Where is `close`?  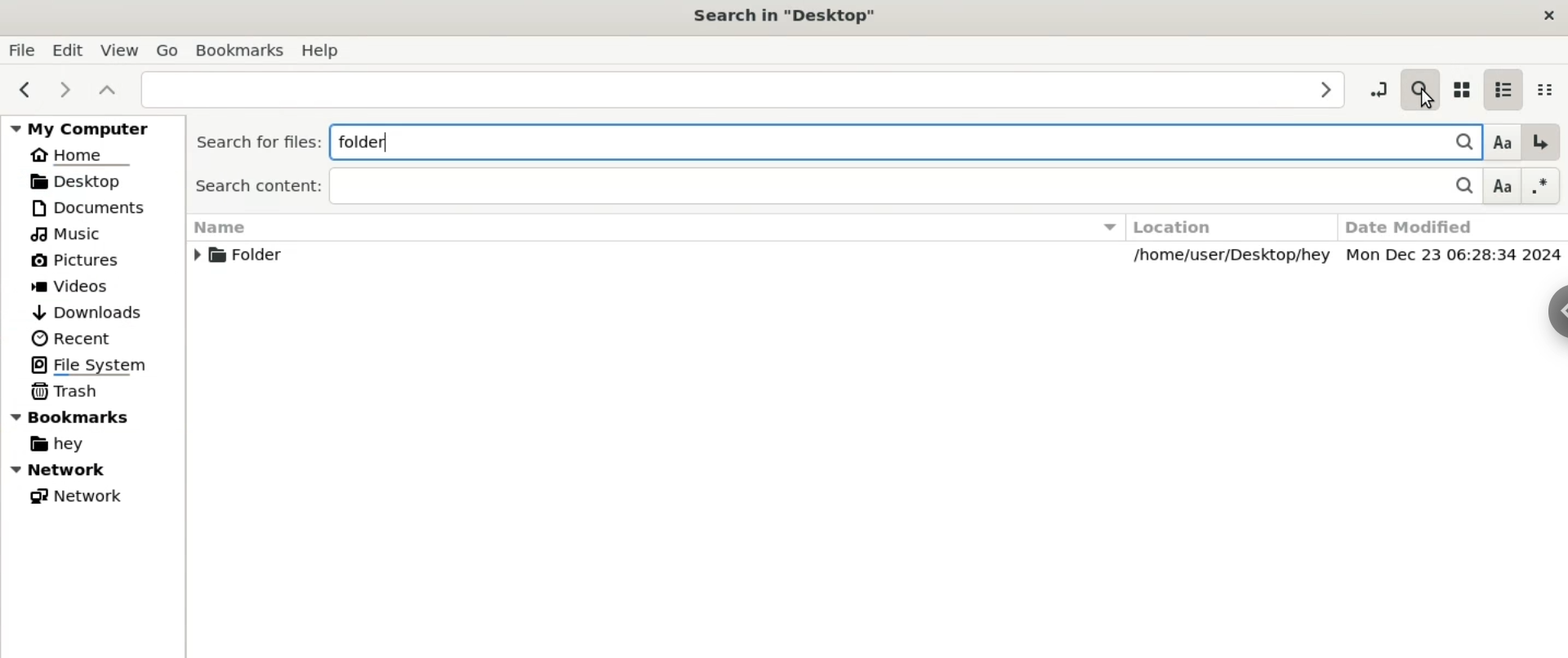
close is located at coordinates (1547, 17).